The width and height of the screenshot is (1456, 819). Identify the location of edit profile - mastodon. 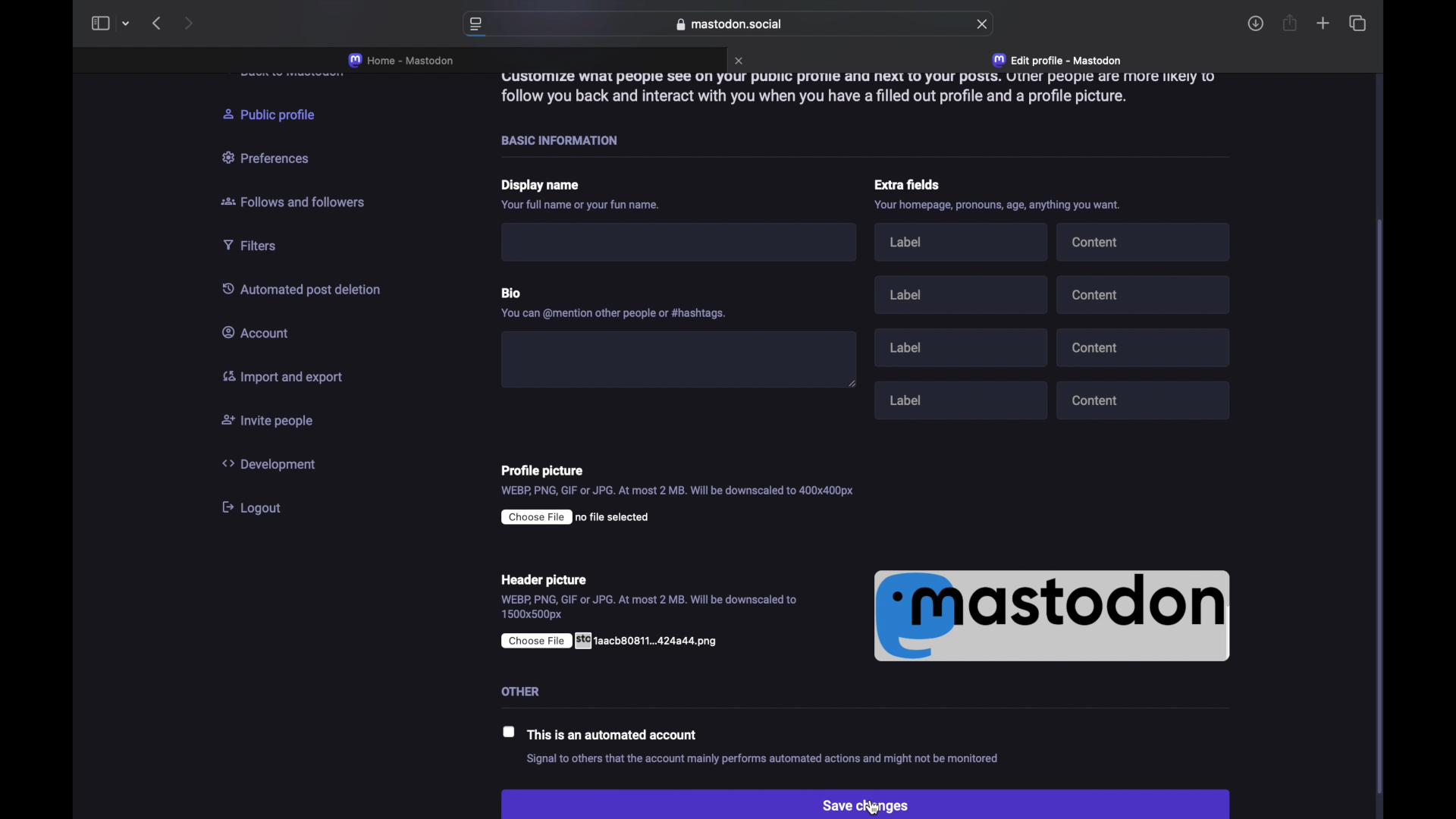
(1059, 61).